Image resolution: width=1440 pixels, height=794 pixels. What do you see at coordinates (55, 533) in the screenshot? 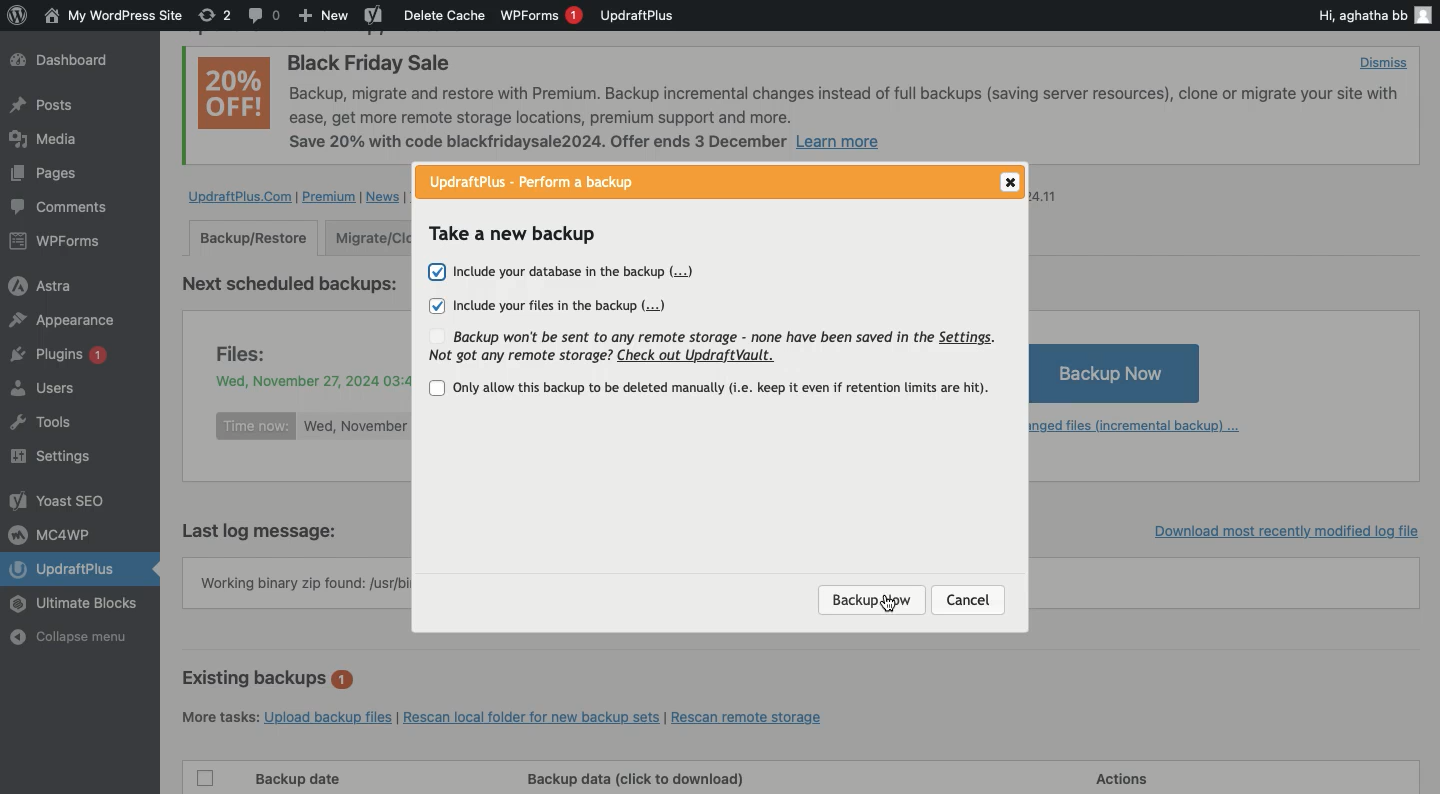
I see `MC4WP` at bounding box center [55, 533].